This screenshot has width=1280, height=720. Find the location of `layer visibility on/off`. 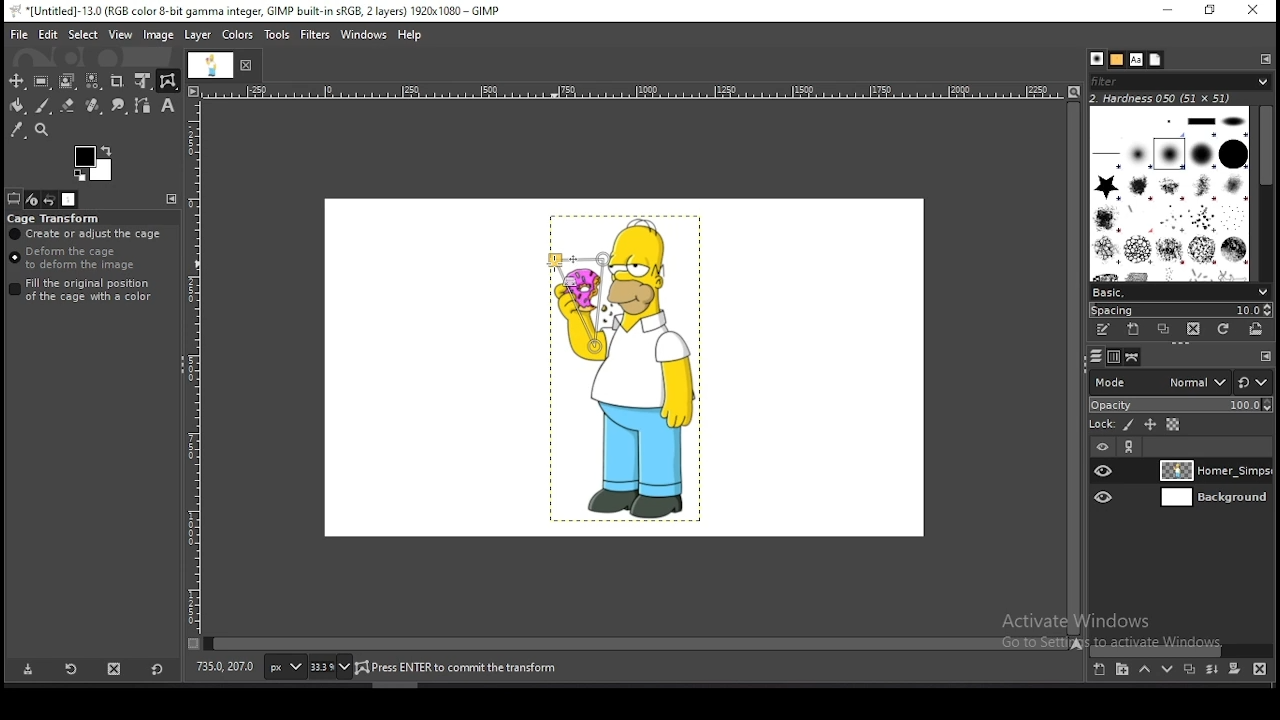

layer visibility on/off is located at coordinates (1105, 471).